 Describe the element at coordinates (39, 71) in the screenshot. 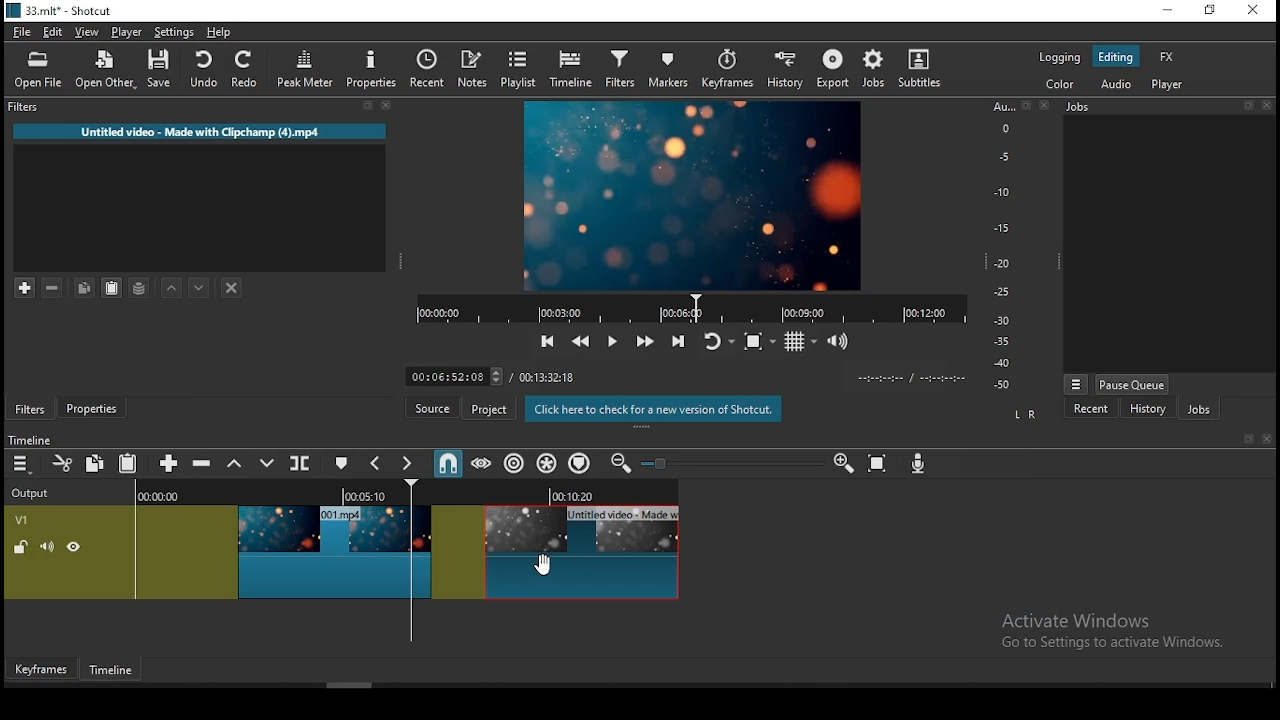

I see `open file` at that location.